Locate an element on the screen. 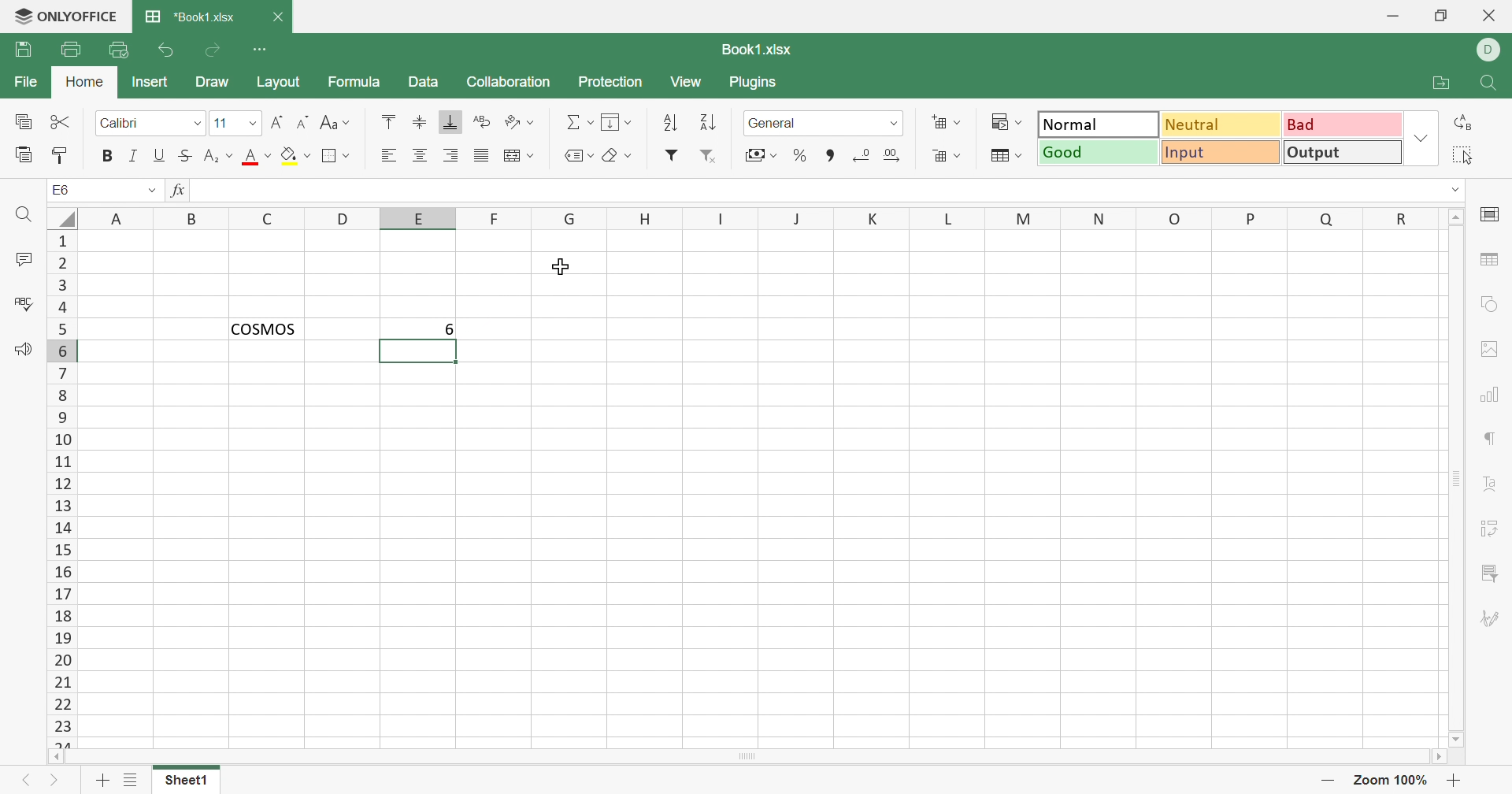  Find is located at coordinates (24, 216).